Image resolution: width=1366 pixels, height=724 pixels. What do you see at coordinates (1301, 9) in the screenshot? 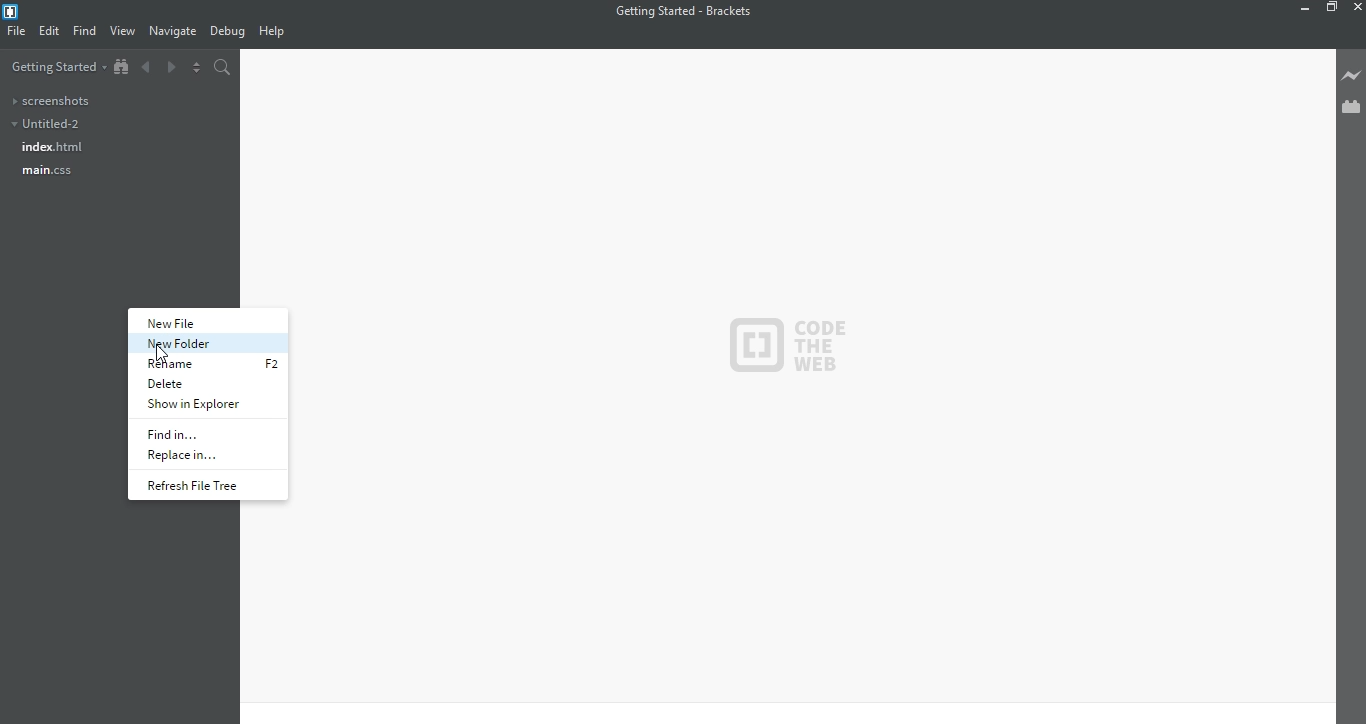
I see `minimize` at bounding box center [1301, 9].